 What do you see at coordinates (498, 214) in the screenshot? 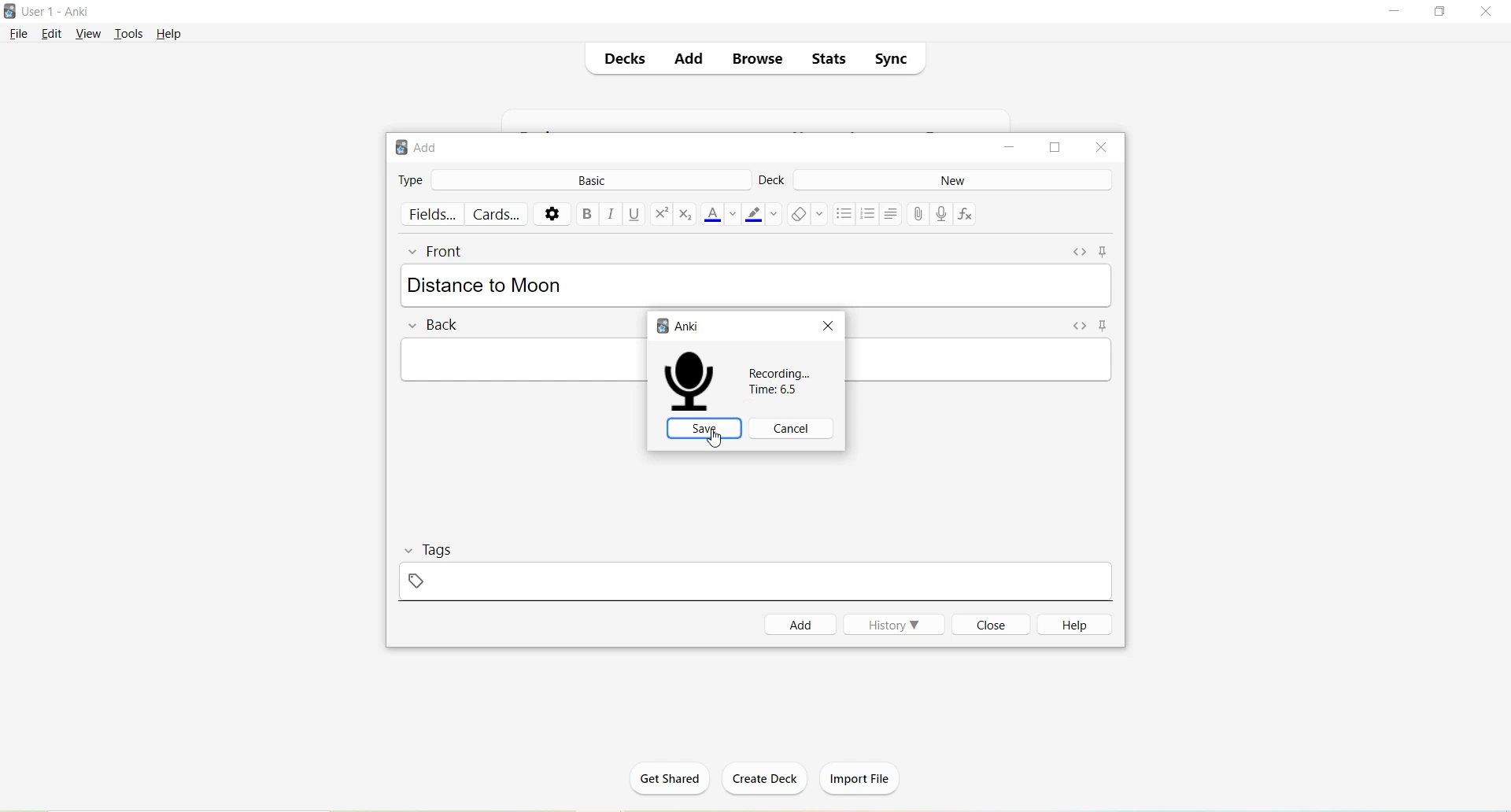
I see `Cards..` at bounding box center [498, 214].